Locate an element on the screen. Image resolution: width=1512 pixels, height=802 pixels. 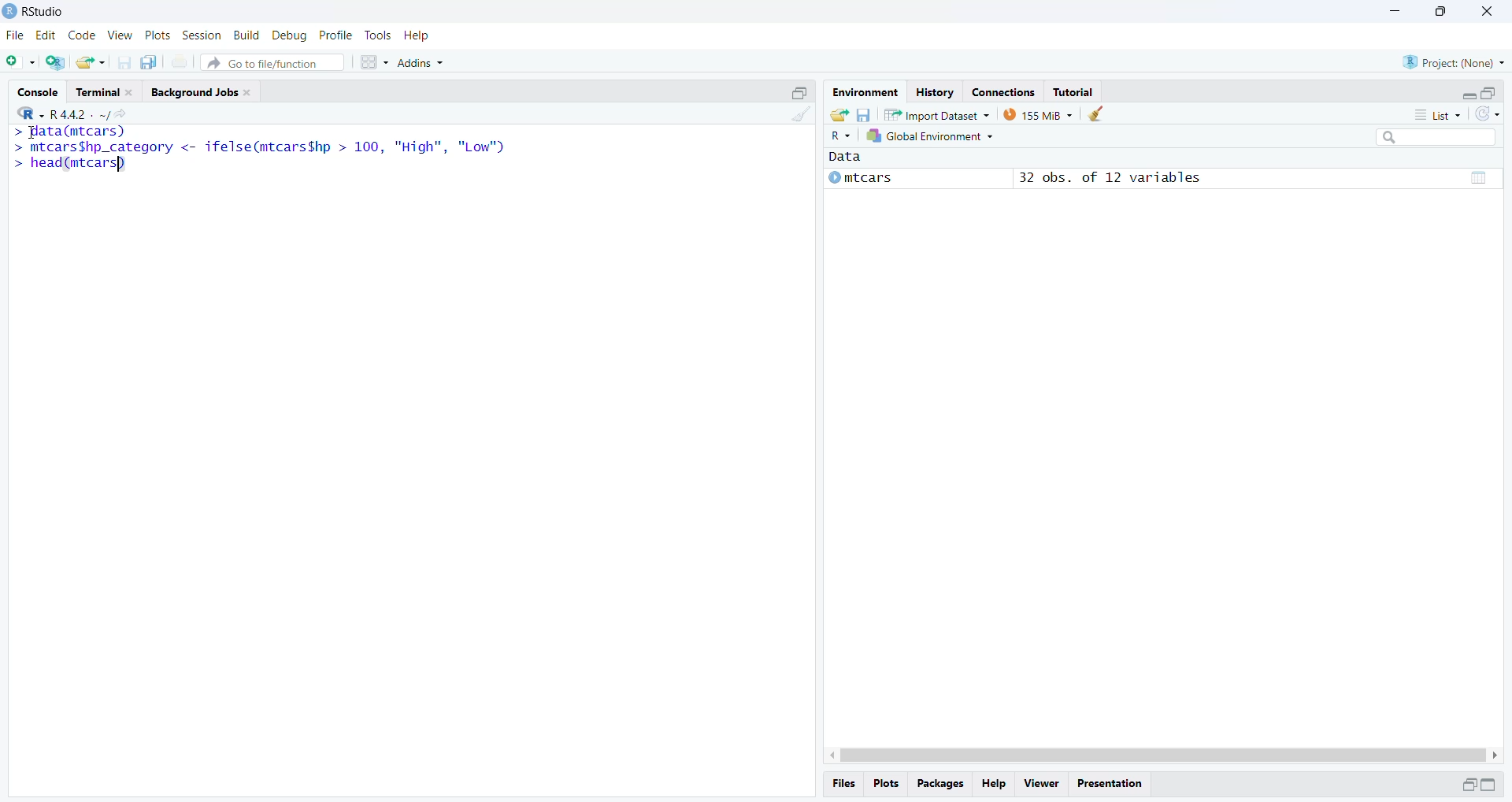
Open an existing file (Ctrl + O) is located at coordinates (92, 62).